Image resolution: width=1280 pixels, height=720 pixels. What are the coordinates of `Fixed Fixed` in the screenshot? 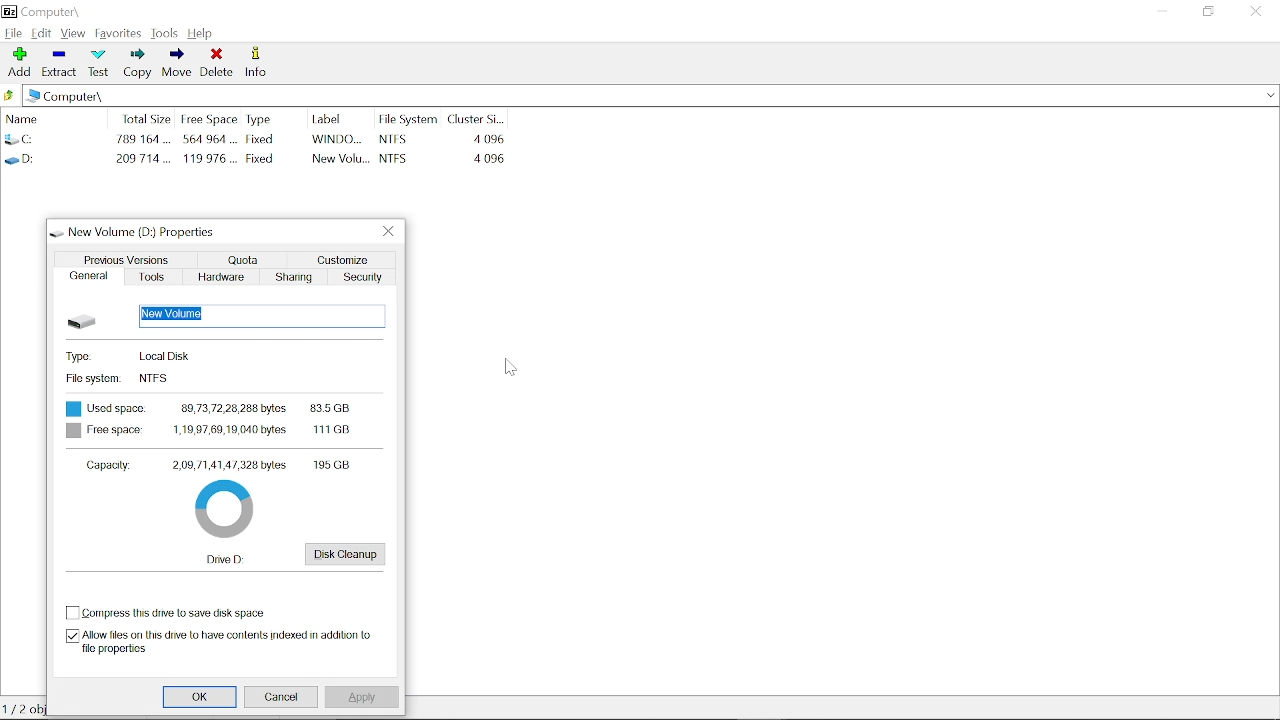 It's located at (264, 148).